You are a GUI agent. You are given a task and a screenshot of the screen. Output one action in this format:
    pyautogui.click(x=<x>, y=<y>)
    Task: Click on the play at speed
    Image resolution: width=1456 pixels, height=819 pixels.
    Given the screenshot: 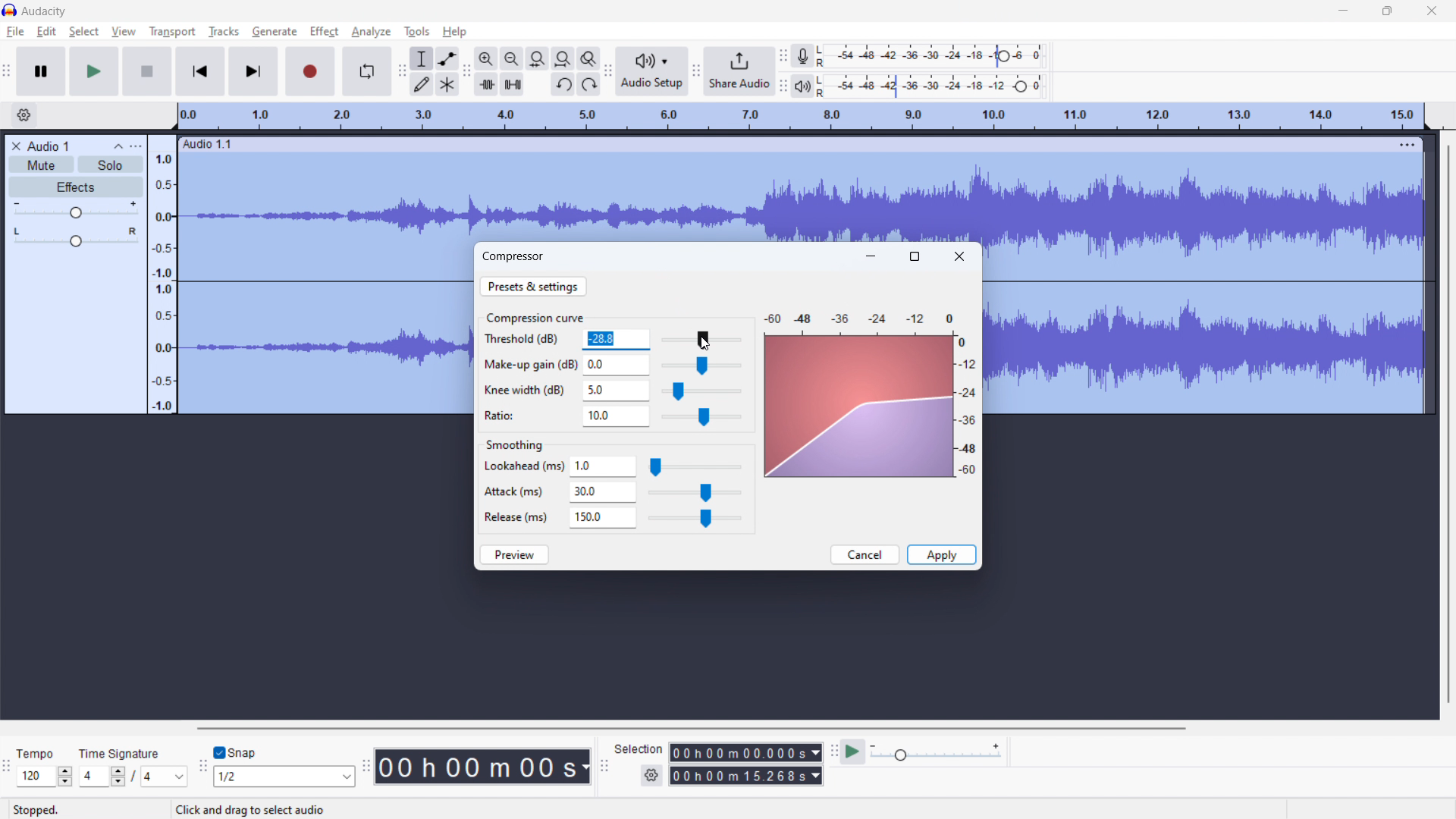 What is the action you would take?
    pyautogui.click(x=853, y=752)
    